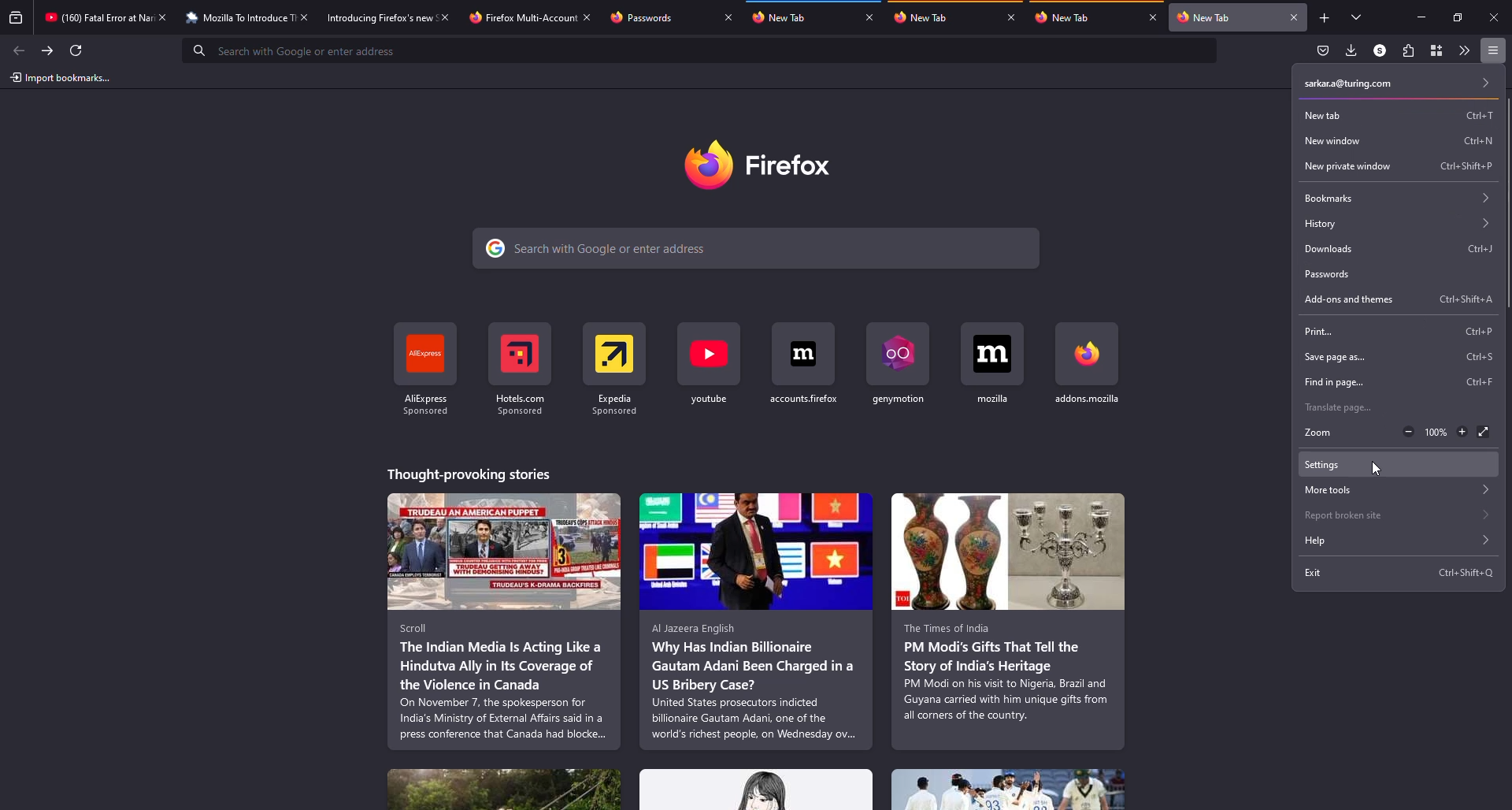 This screenshot has height=810, width=1512. What do you see at coordinates (898, 366) in the screenshot?
I see `shortcut` at bounding box center [898, 366].